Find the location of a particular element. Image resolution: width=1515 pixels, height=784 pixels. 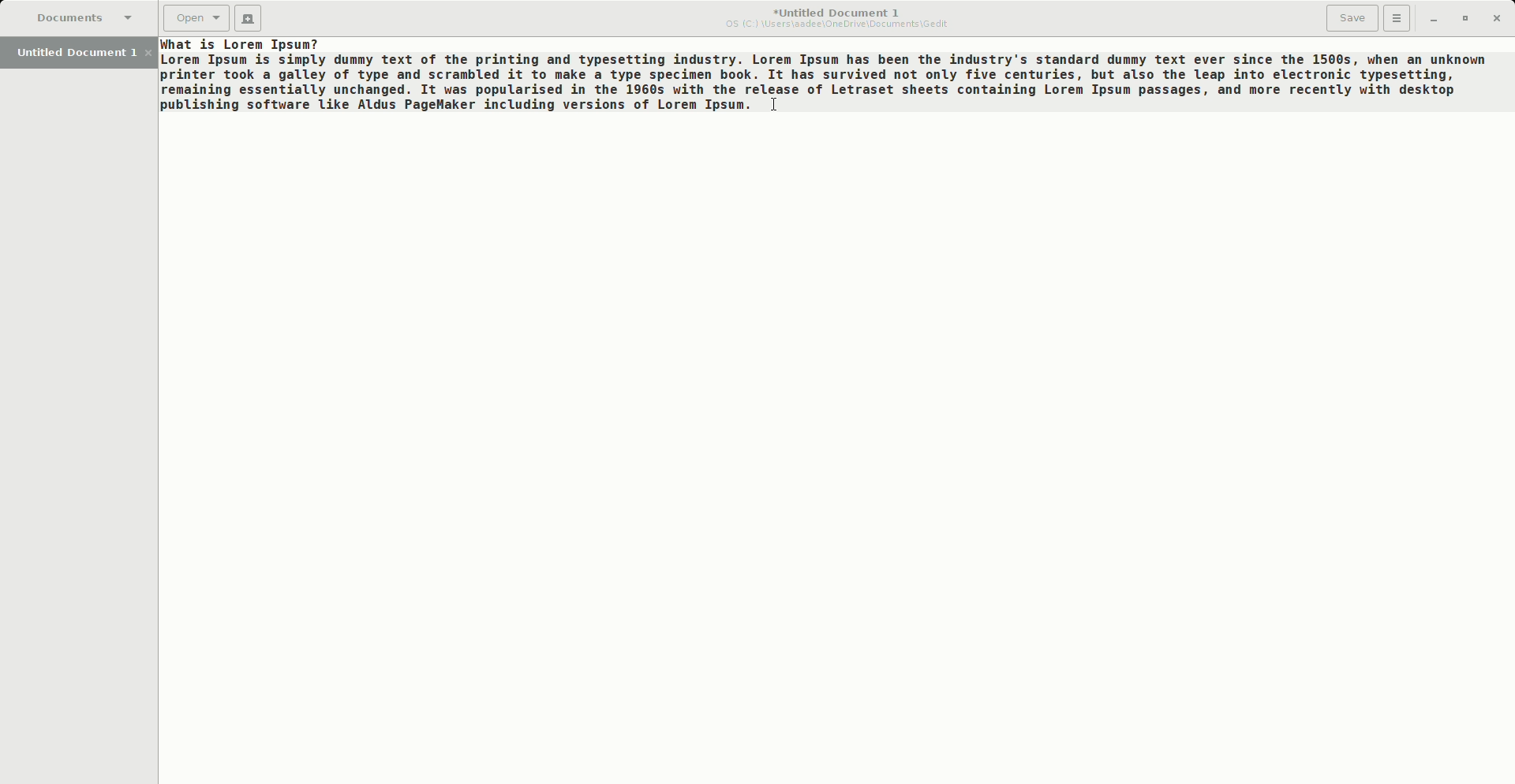

Open is located at coordinates (196, 18).